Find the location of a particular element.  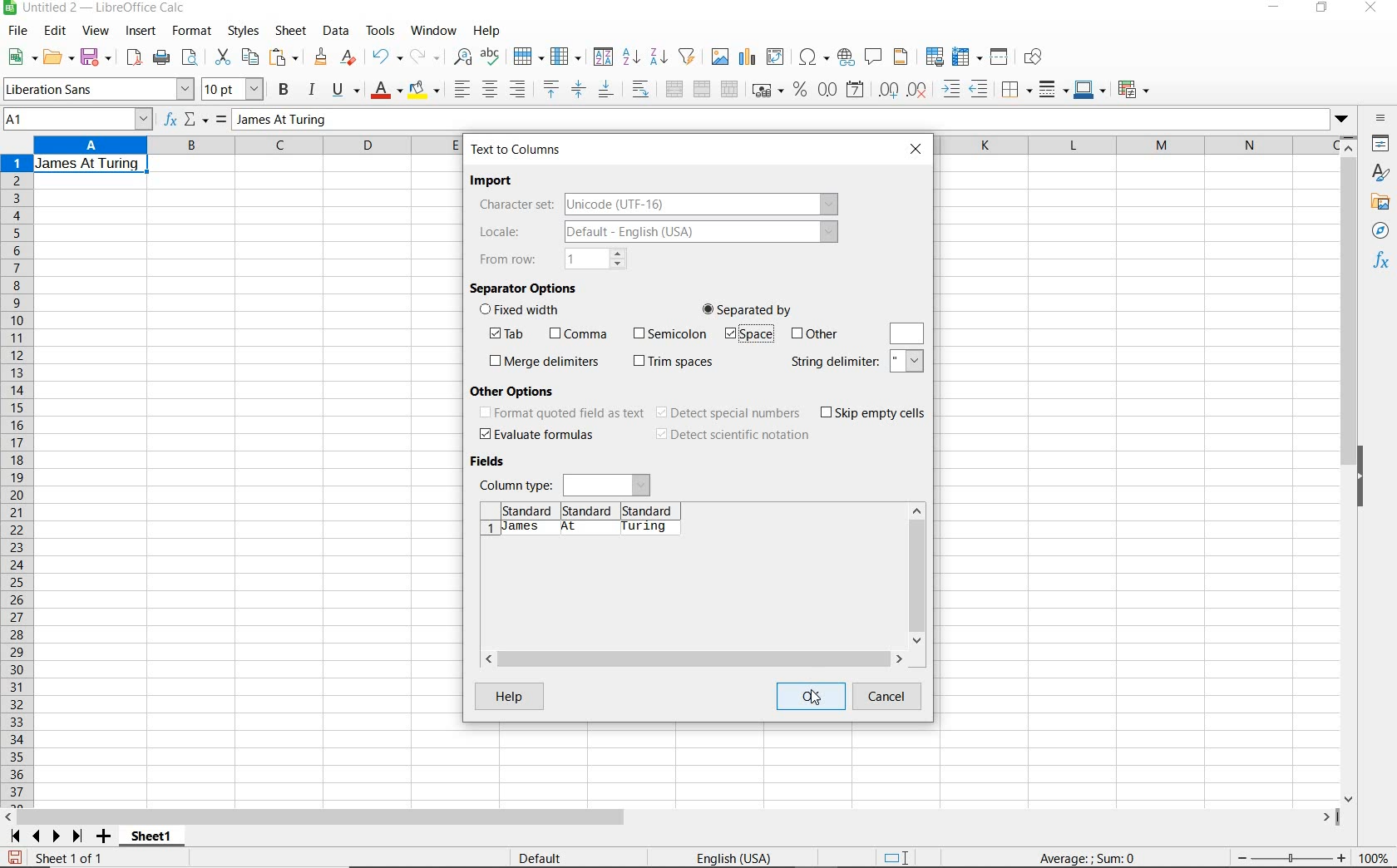

freeze rows and columns is located at coordinates (967, 57).